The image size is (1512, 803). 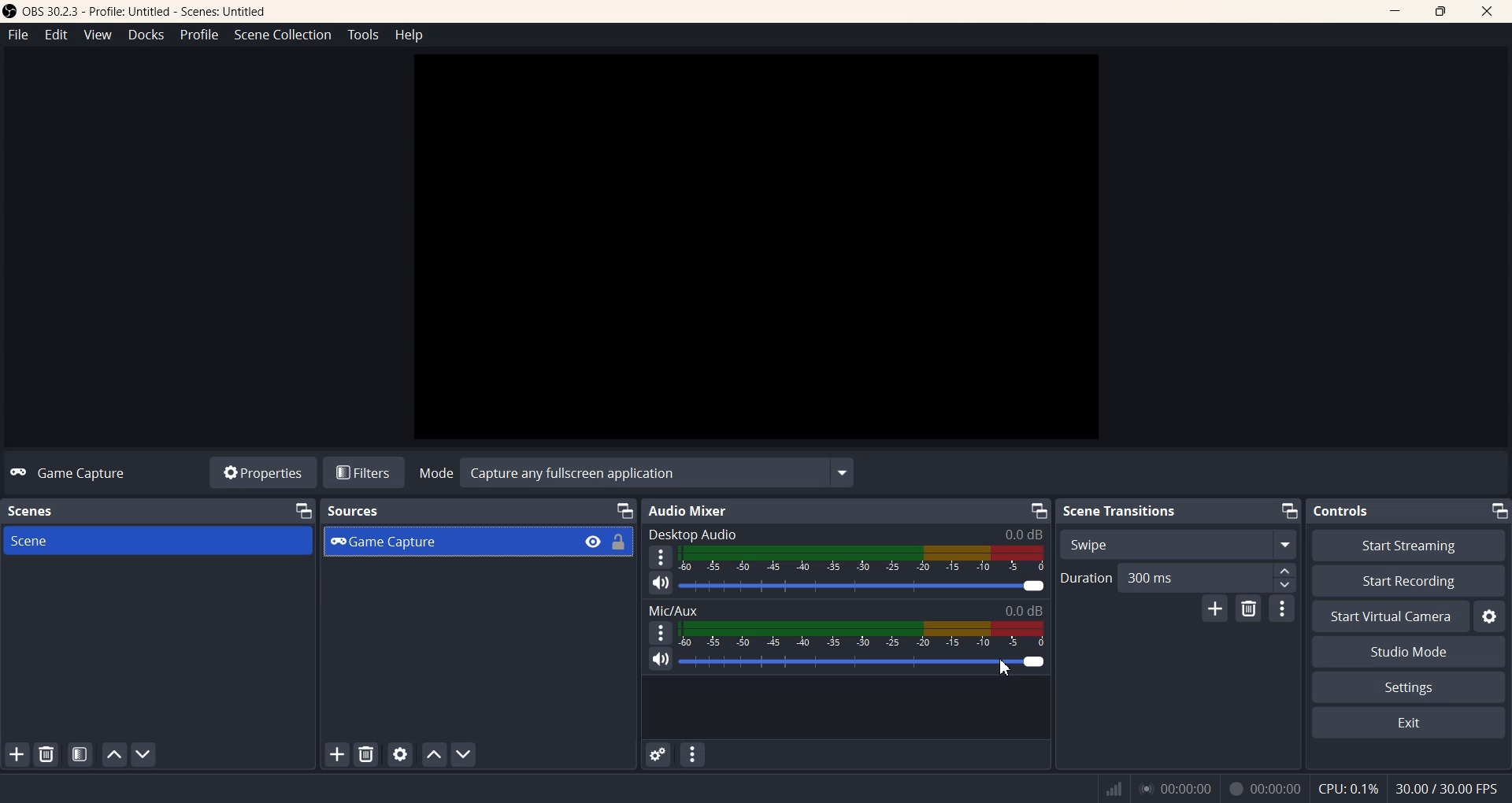 I want to click on Text, so click(x=846, y=610).